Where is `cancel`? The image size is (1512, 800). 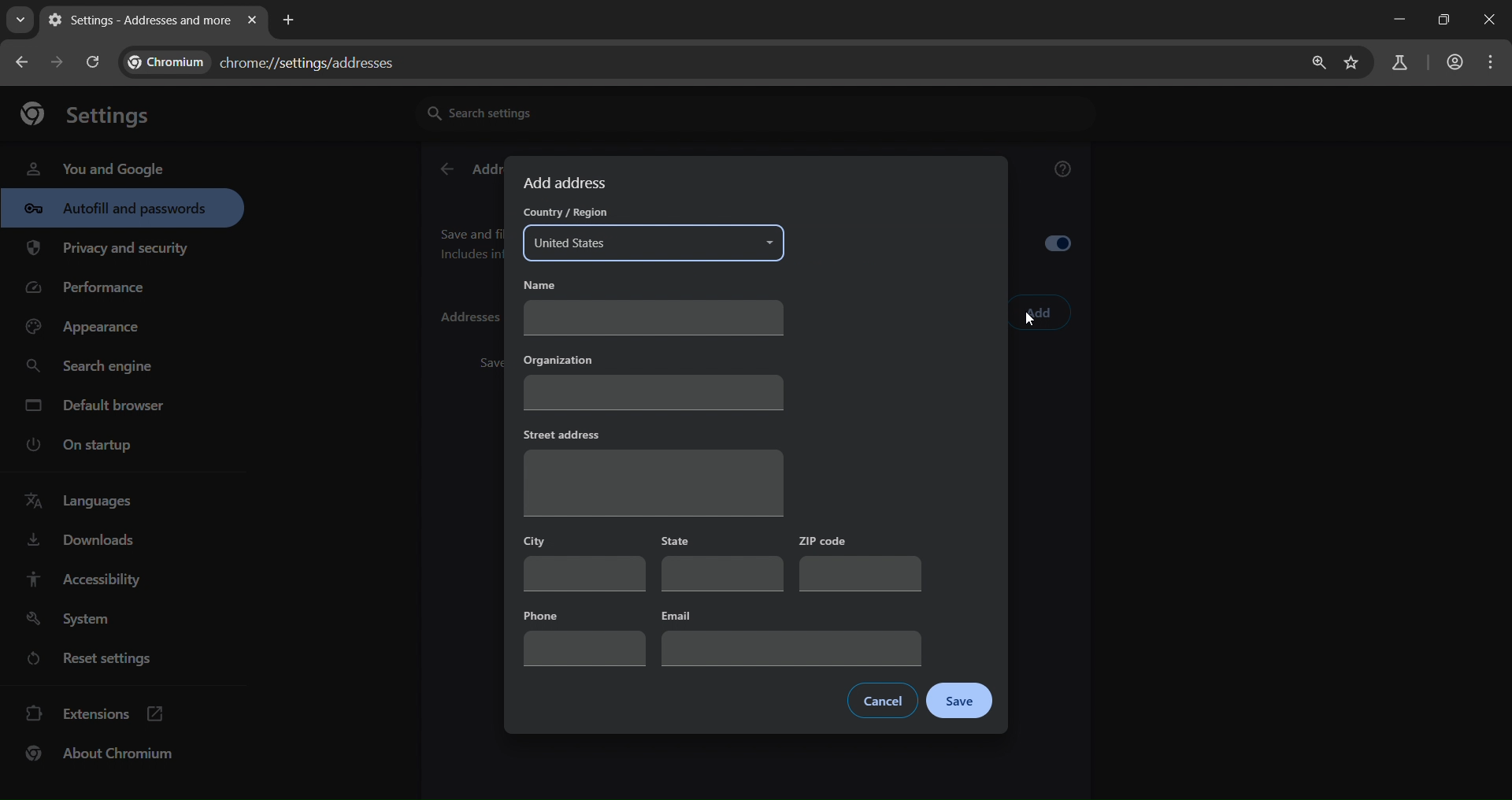 cancel is located at coordinates (884, 701).